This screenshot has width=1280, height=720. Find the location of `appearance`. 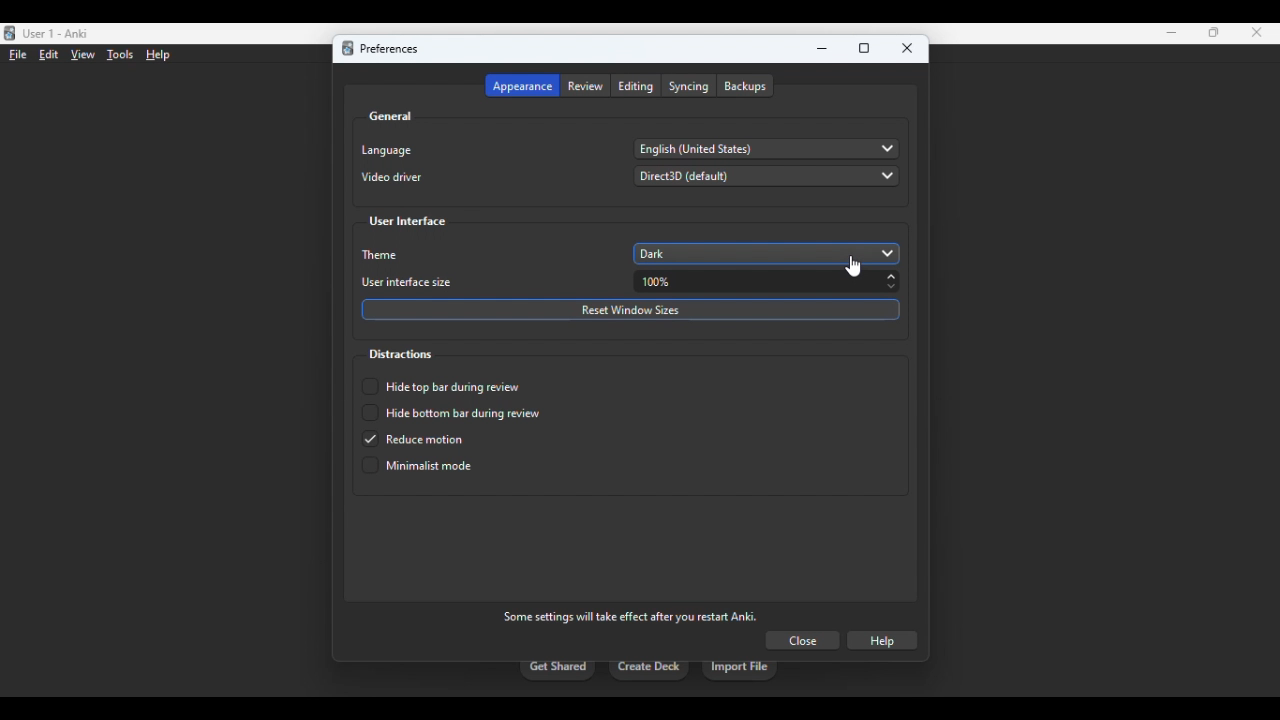

appearance is located at coordinates (522, 86).